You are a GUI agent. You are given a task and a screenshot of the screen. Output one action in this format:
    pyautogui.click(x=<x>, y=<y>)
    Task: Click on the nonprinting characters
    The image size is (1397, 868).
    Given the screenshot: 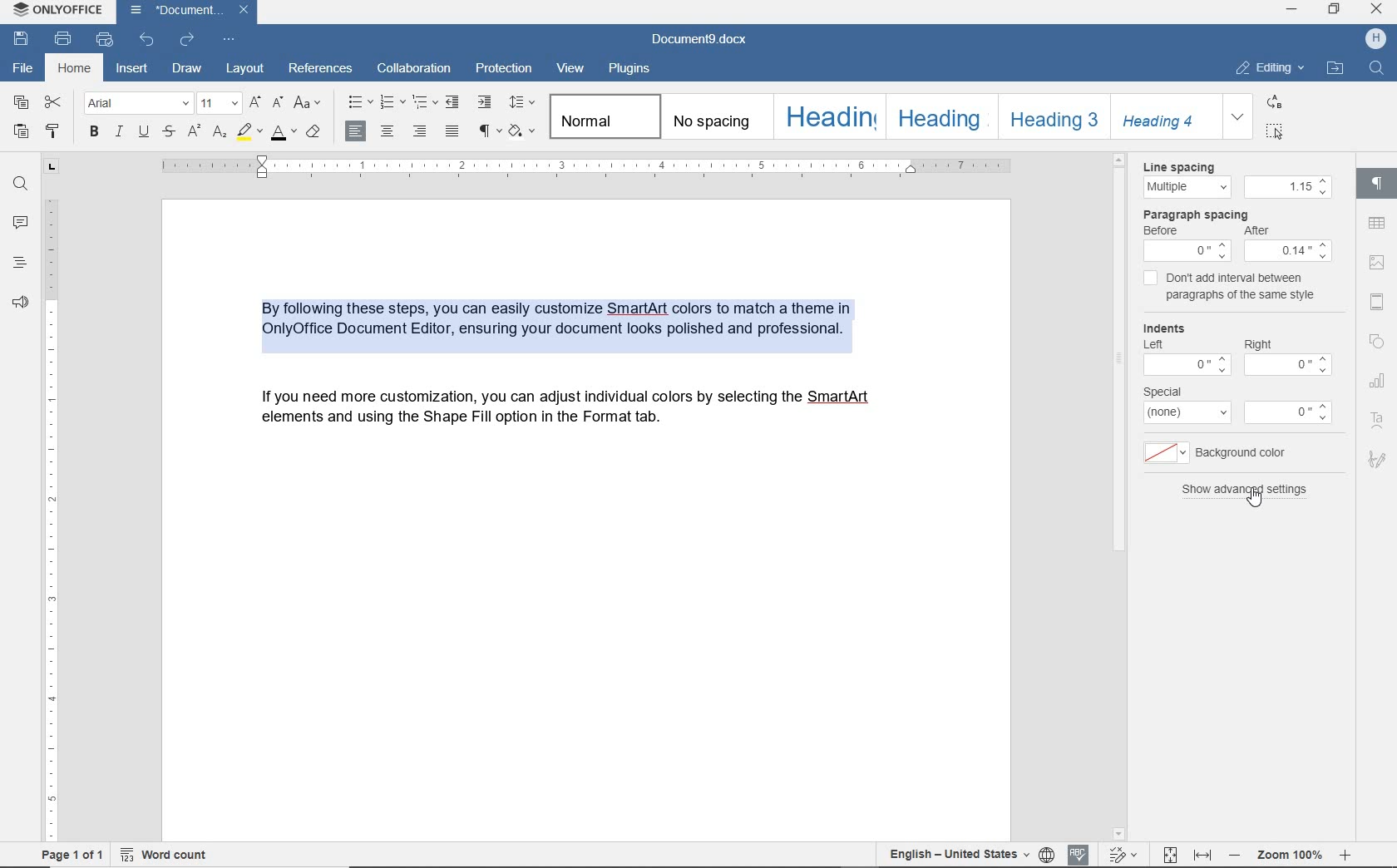 What is the action you would take?
    pyautogui.click(x=490, y=132)
    